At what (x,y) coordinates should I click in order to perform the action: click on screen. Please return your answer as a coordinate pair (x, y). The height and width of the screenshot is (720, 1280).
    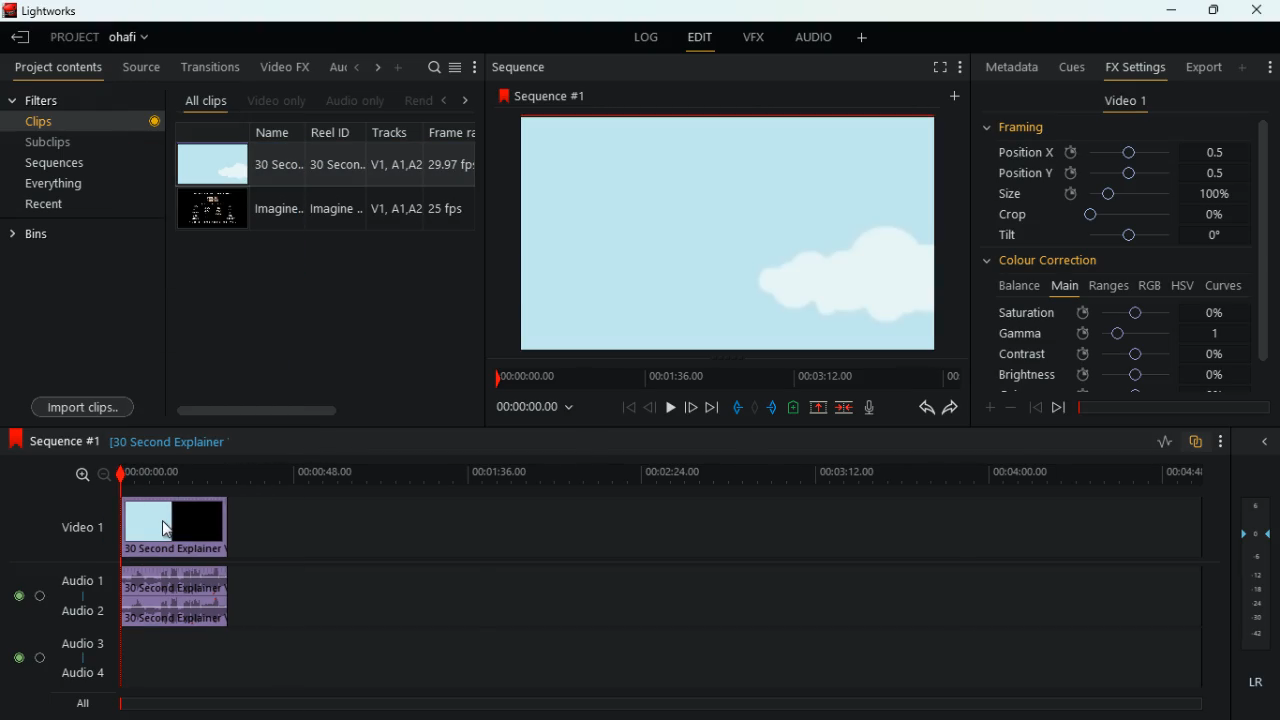
    Looking at the image, I should click on (935, 67).